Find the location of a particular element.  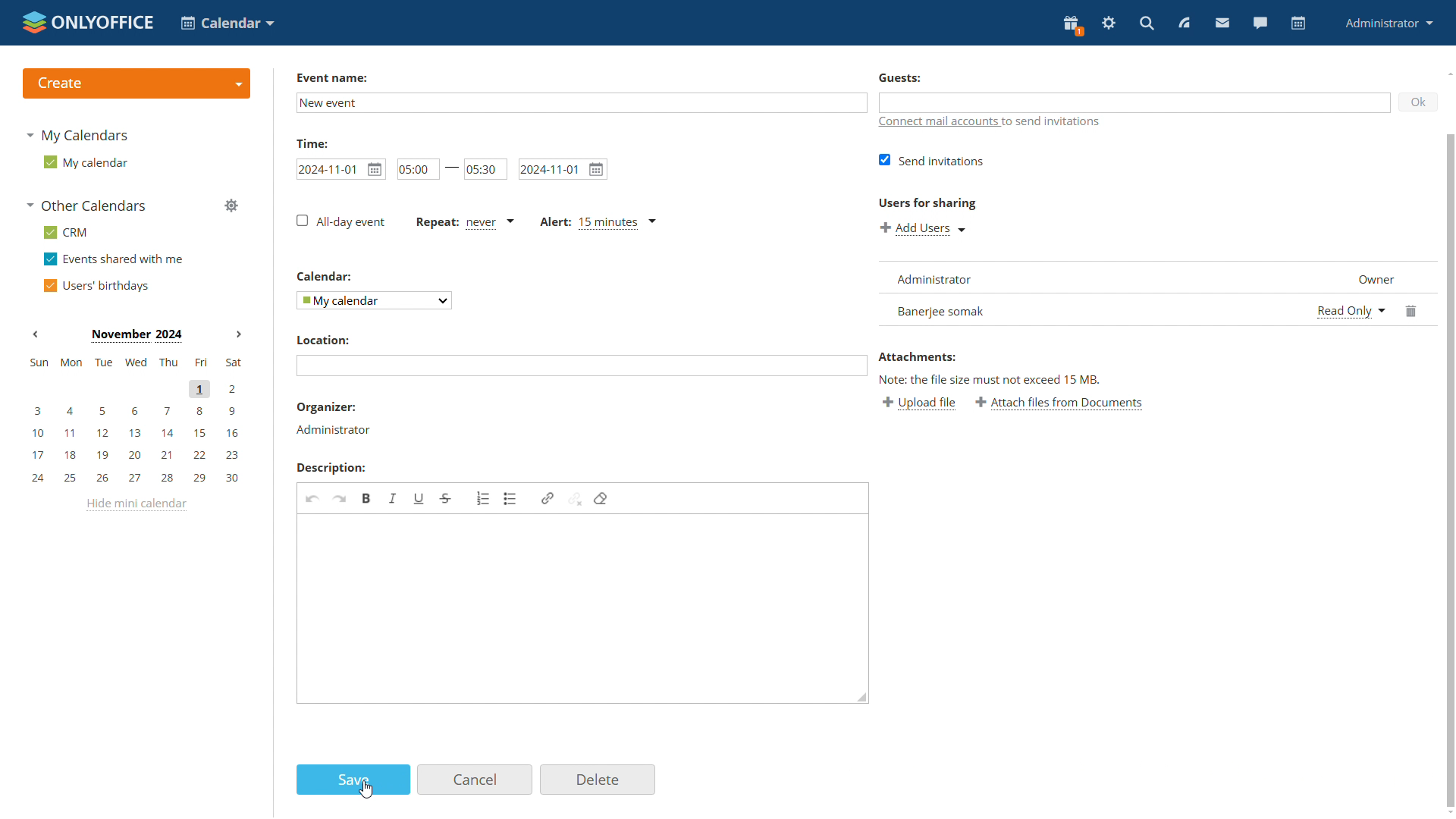

Add guests is located at coordinates (1134, 102).